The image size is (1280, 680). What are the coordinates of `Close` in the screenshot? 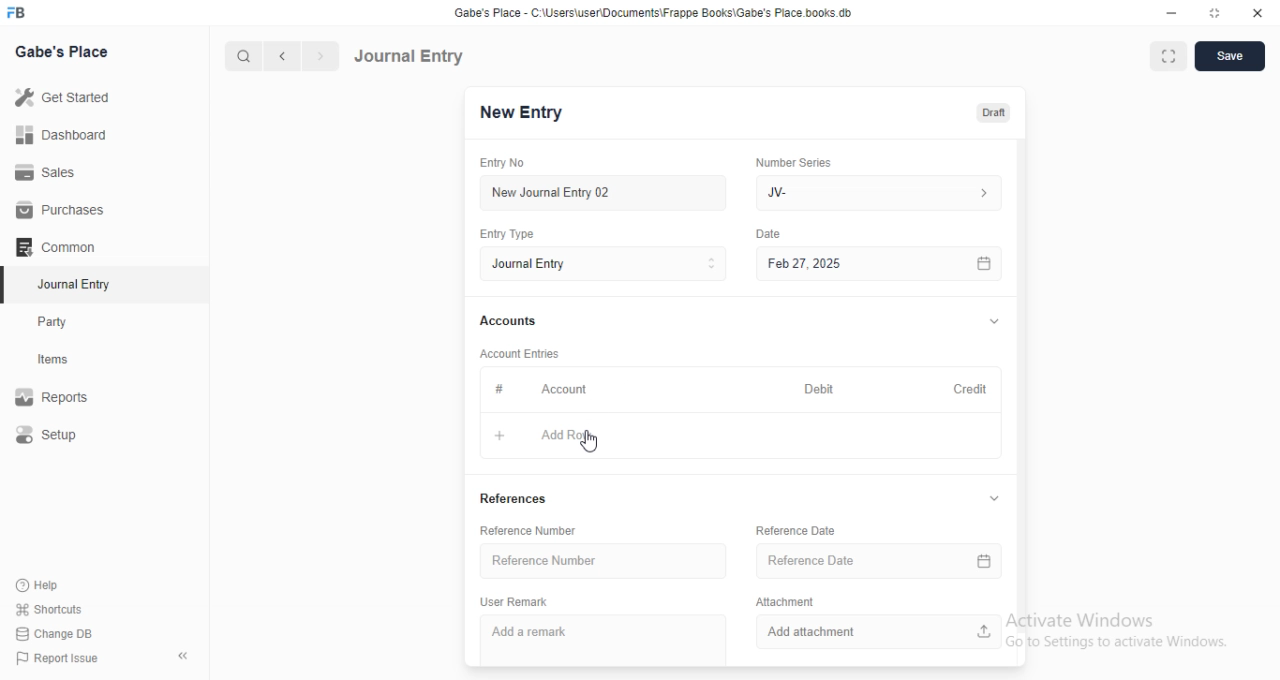 It's located at (1254, 14).